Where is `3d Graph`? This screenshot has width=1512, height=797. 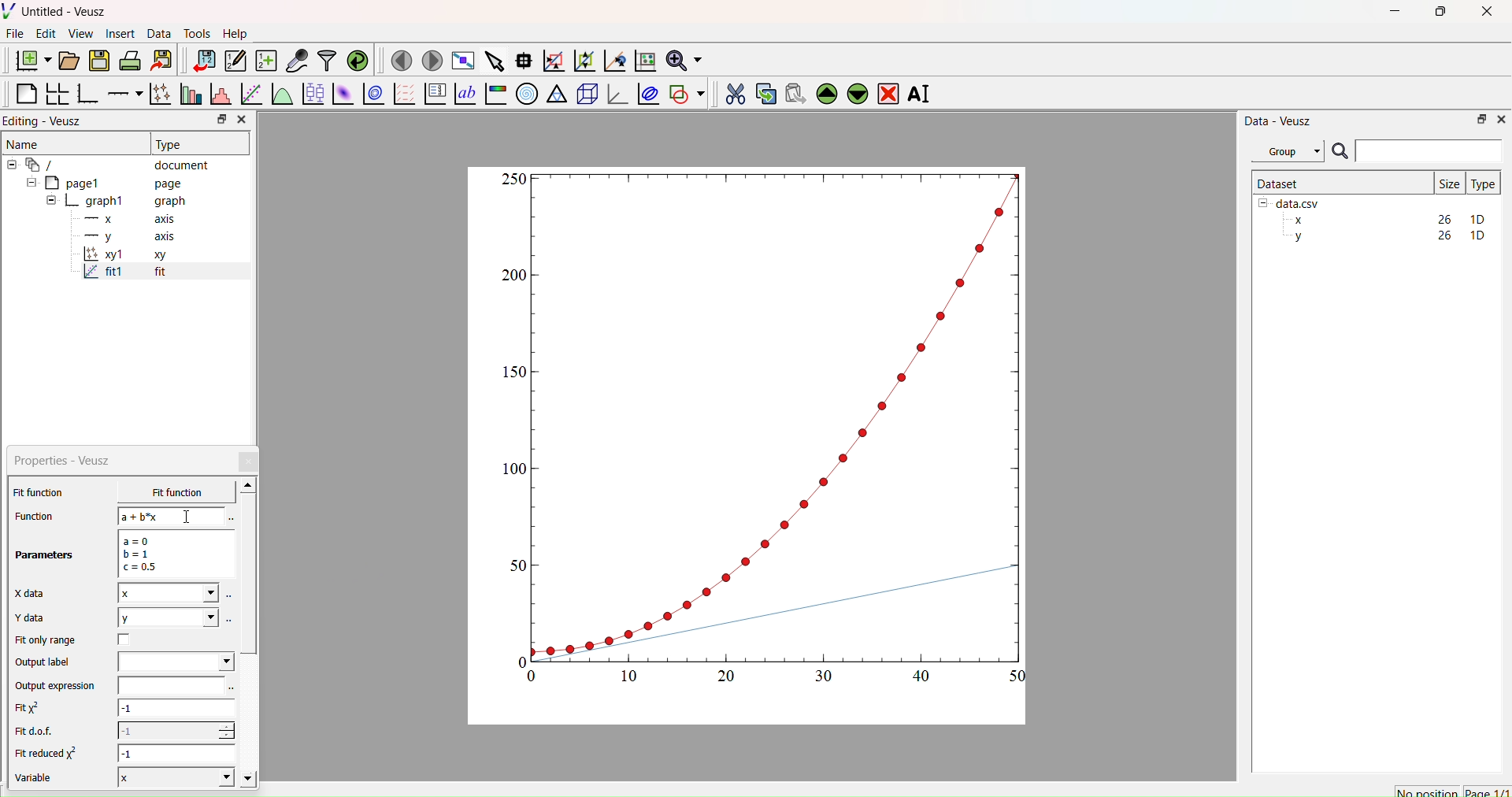
3d Graph is located at coordinates (614, 93).